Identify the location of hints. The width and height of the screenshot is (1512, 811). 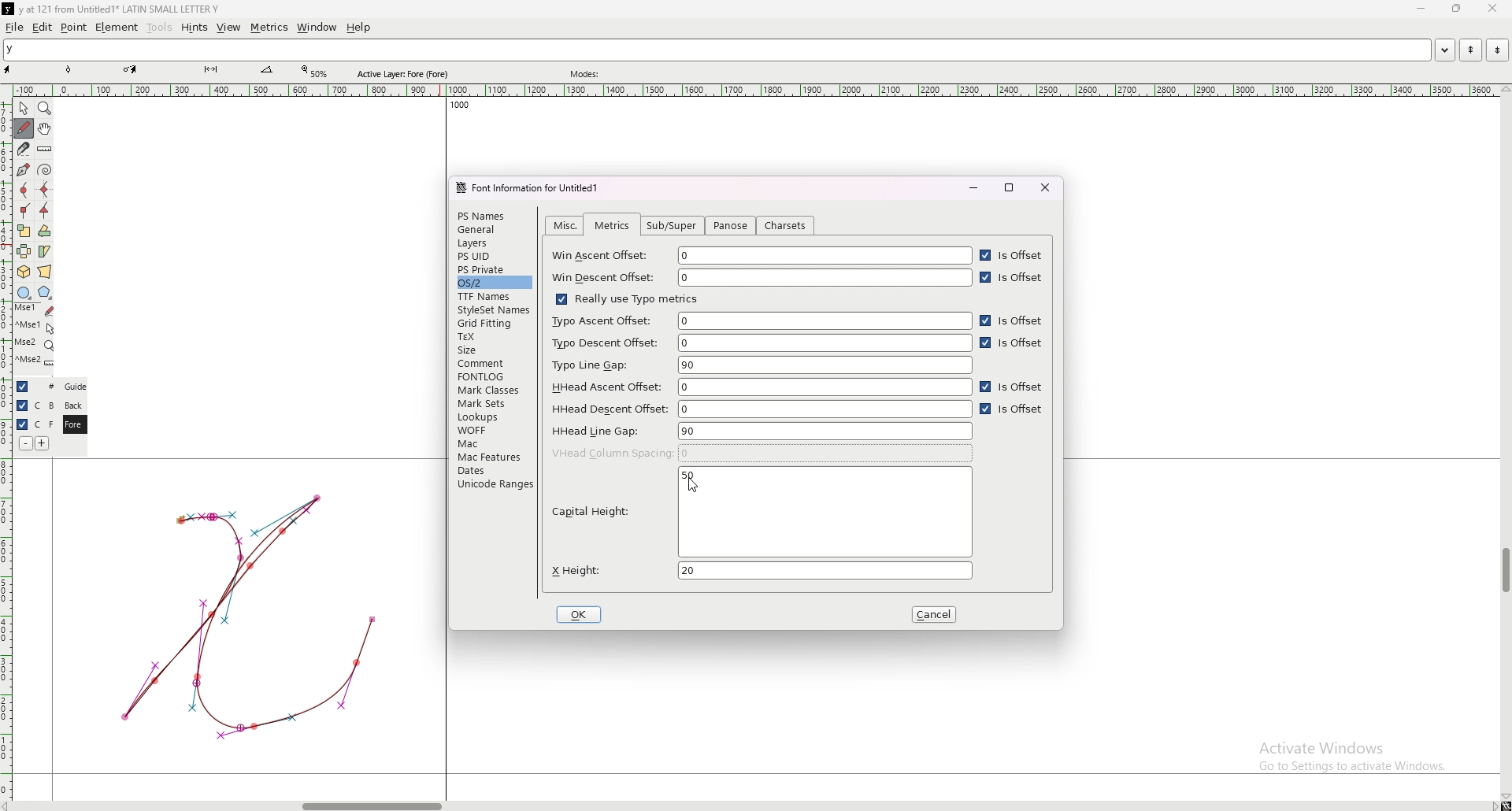
(193, 28).